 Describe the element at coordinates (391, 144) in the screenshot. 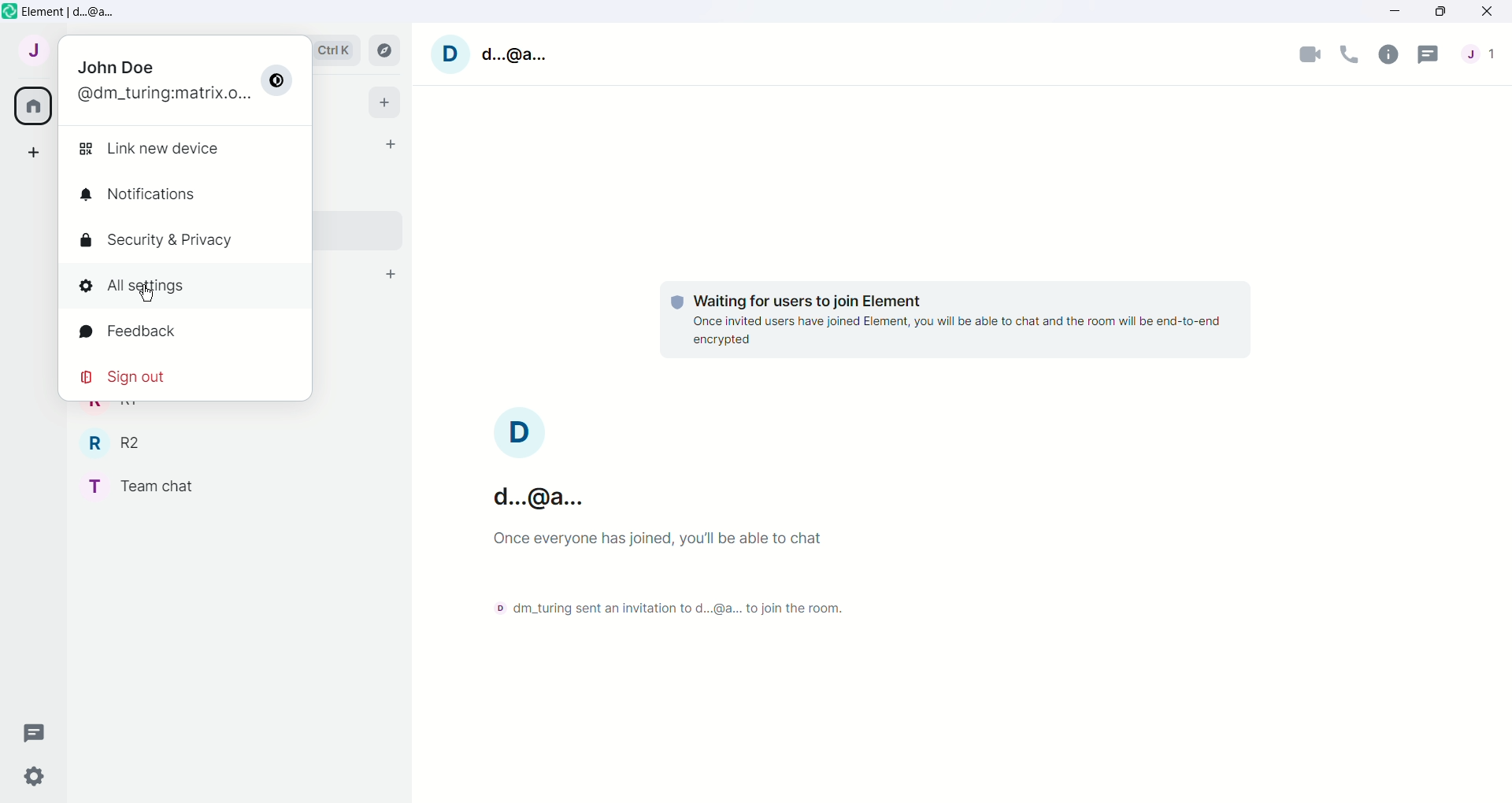

I see `Start chat` at that location.